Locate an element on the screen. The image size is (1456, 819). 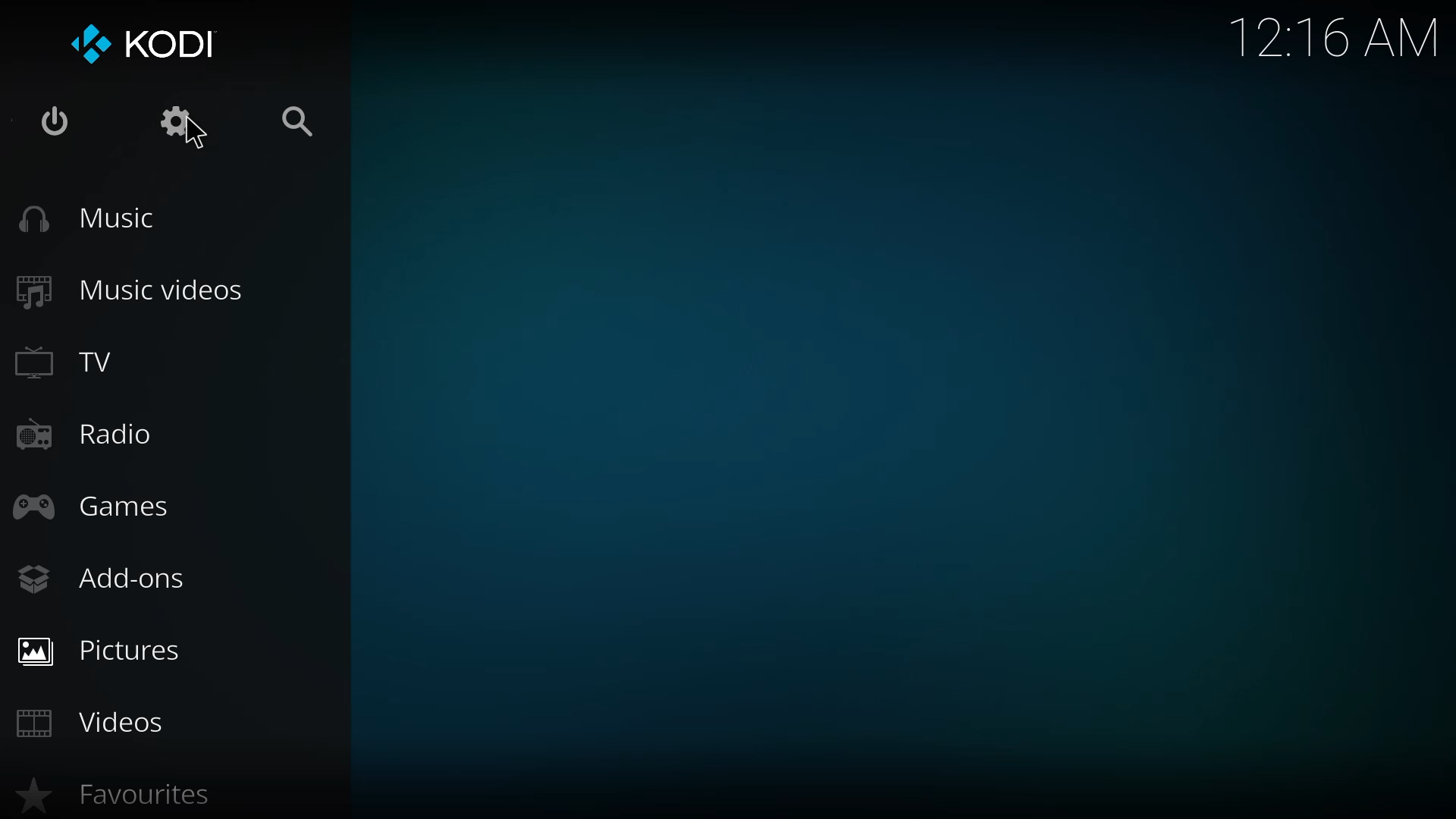
favorites is located at coordinates (121, 798).